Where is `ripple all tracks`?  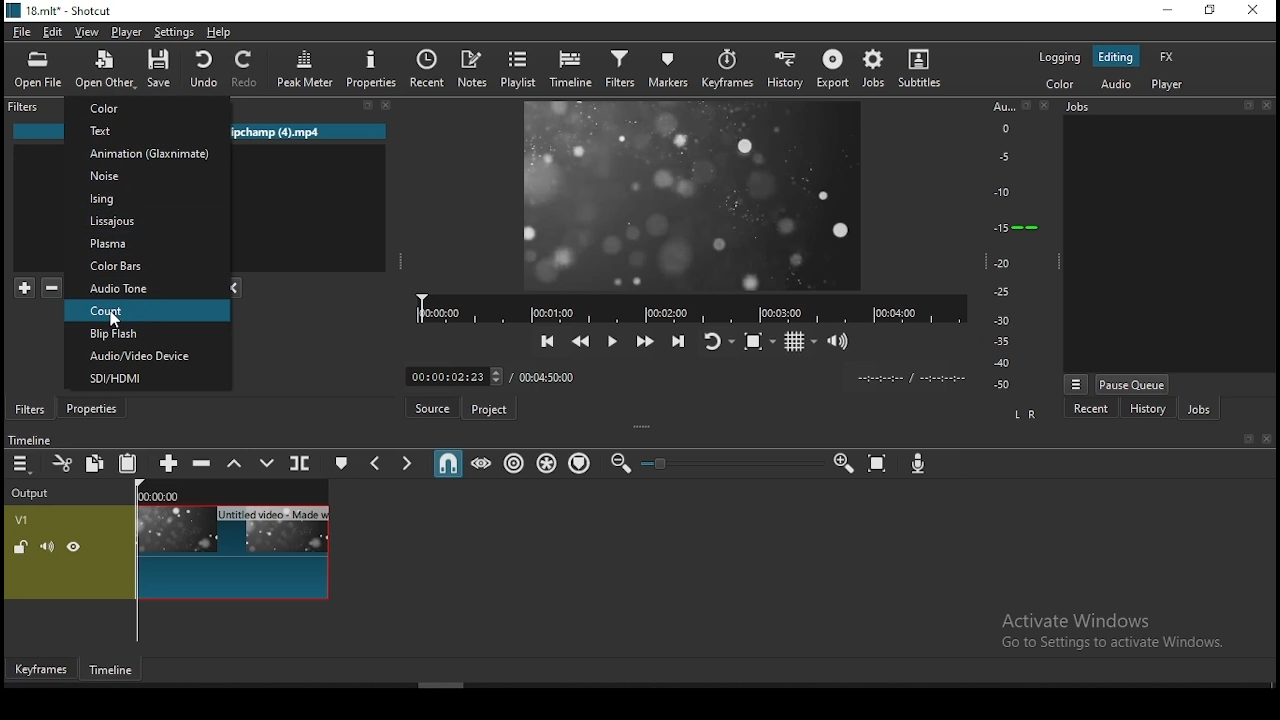
ripple all tracks is located at coordinates (547, 463).